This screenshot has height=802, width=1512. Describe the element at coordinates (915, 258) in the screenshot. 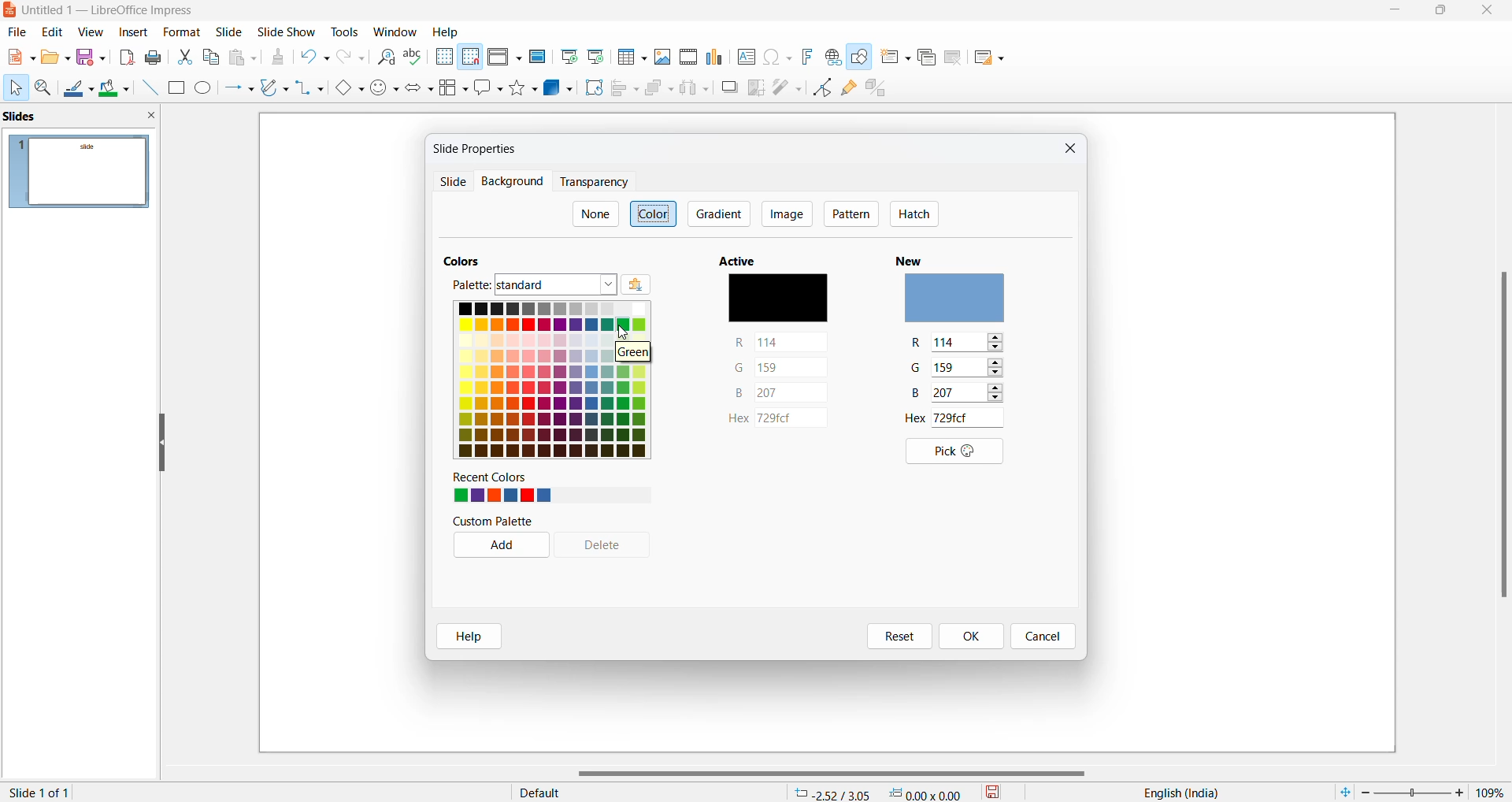

I see `new ` at that location.